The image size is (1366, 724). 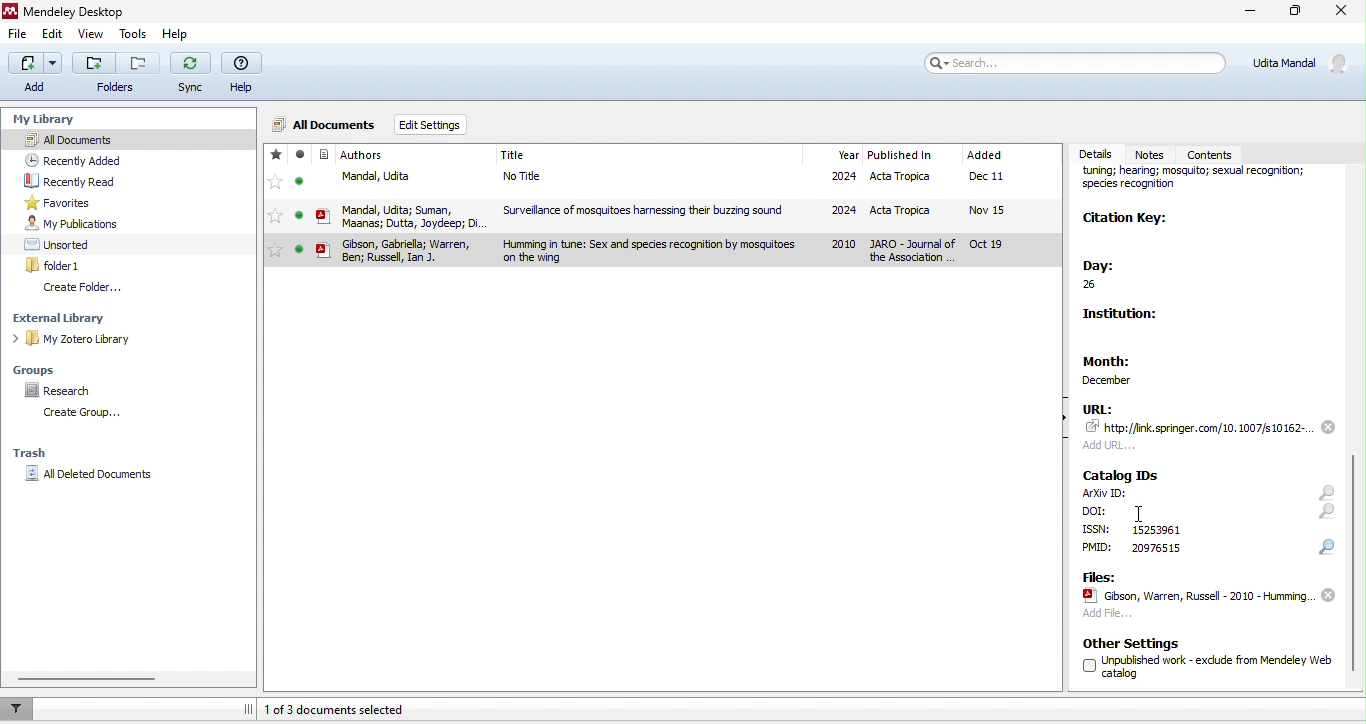 I want to click on month: december, so click(x=1126, y=366).